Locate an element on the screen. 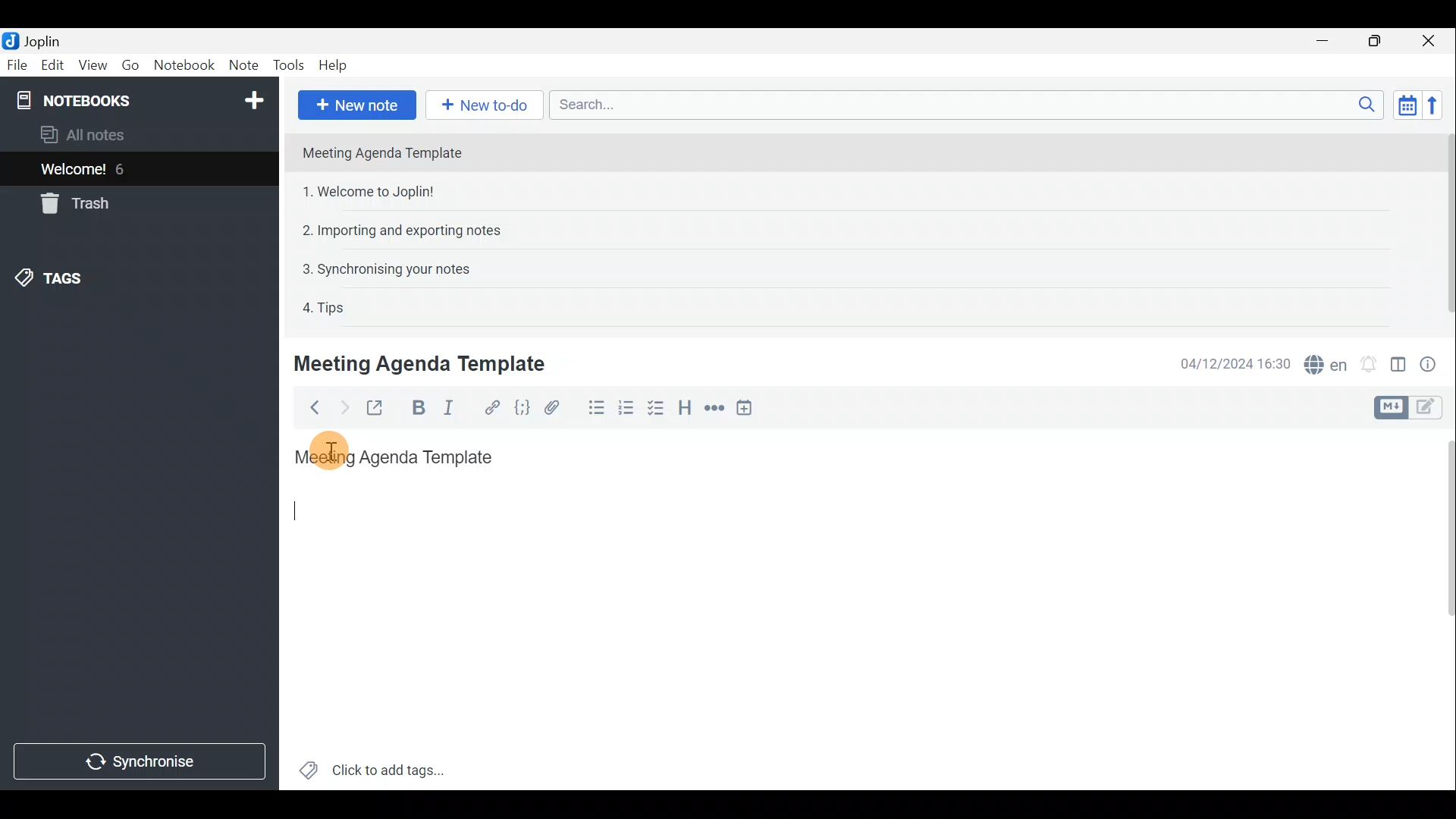 This screenshot has width=1456, height=819. Meeting Agenda Template is located at coordinates (384, 152).